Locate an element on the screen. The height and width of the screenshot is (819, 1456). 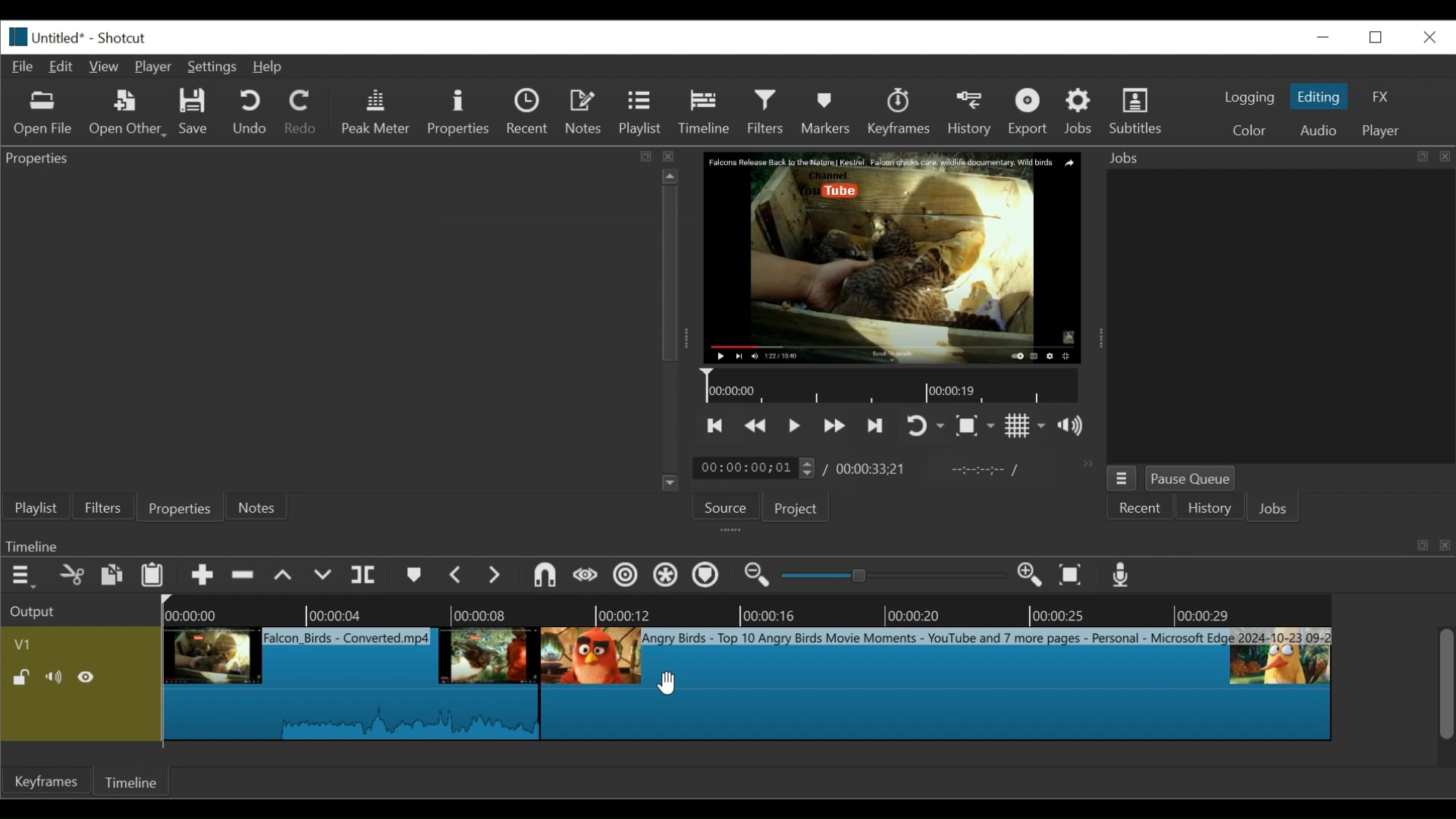
Notes is located at coordinates (585, 114).